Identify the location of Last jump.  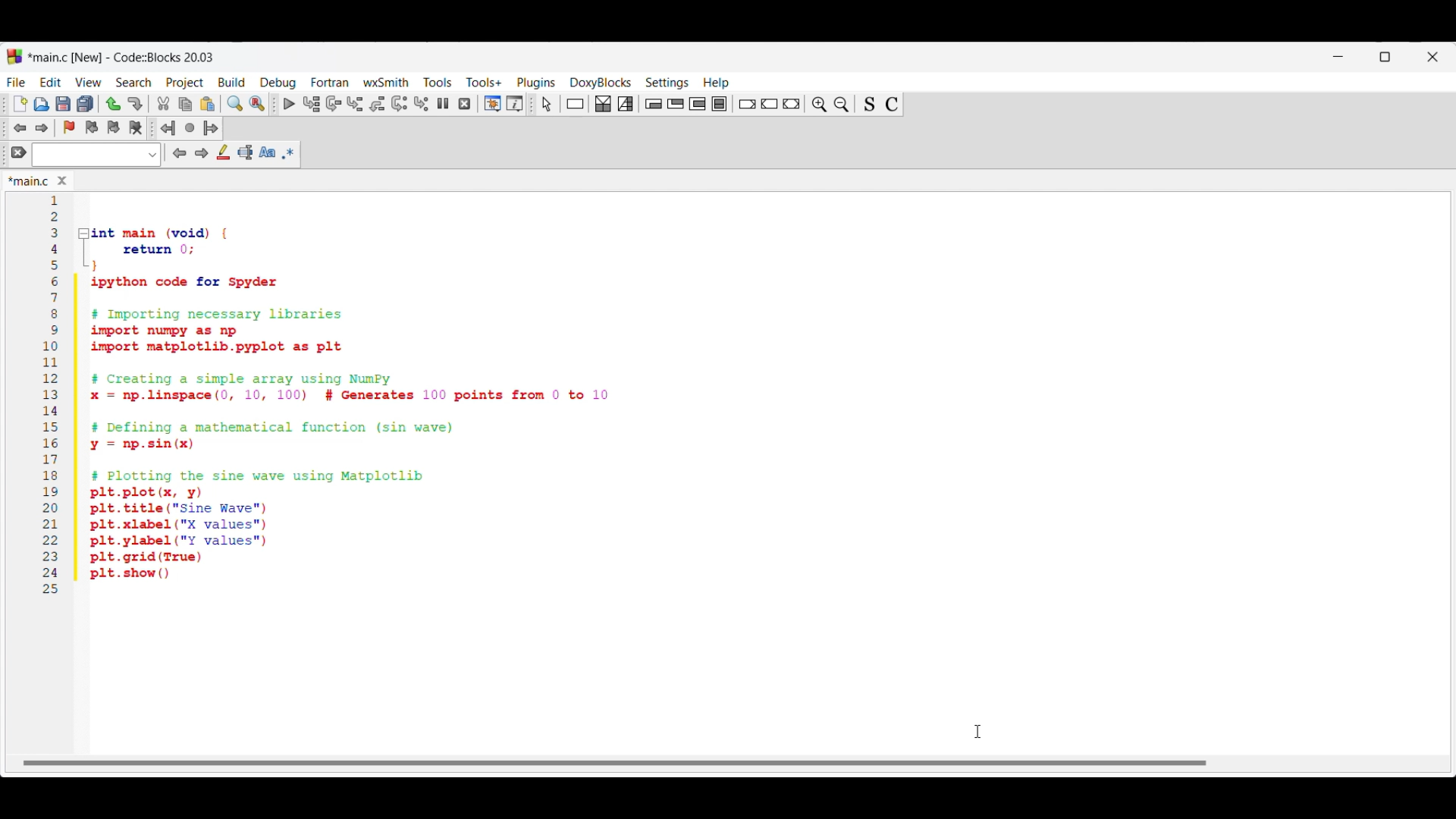
(190, 127).